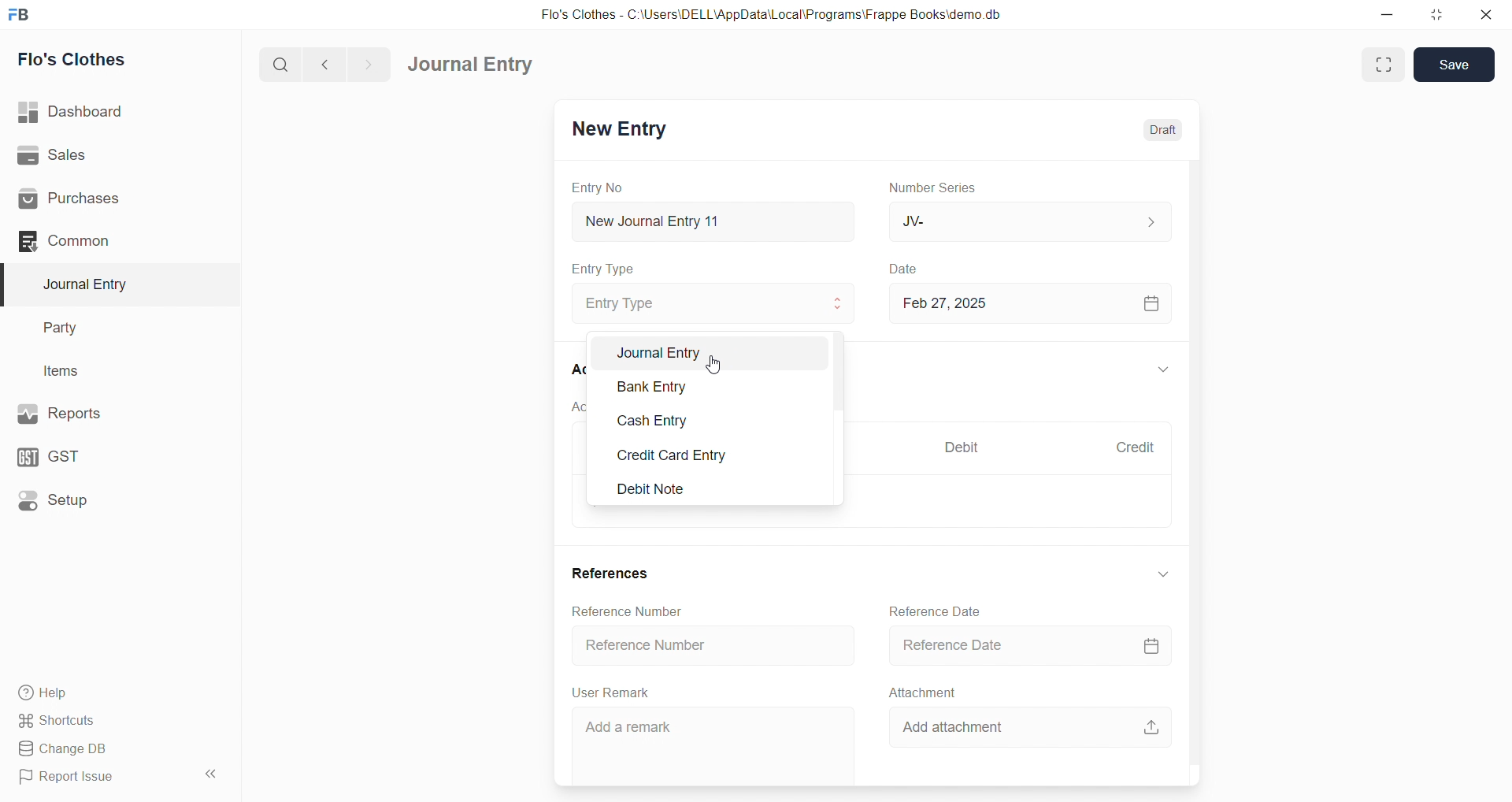 The height and width of the screenshot is (802, 1512). Describe the element at coordinates (80, 59) in the screenshot. I see `Flo's Clothes` at that location.